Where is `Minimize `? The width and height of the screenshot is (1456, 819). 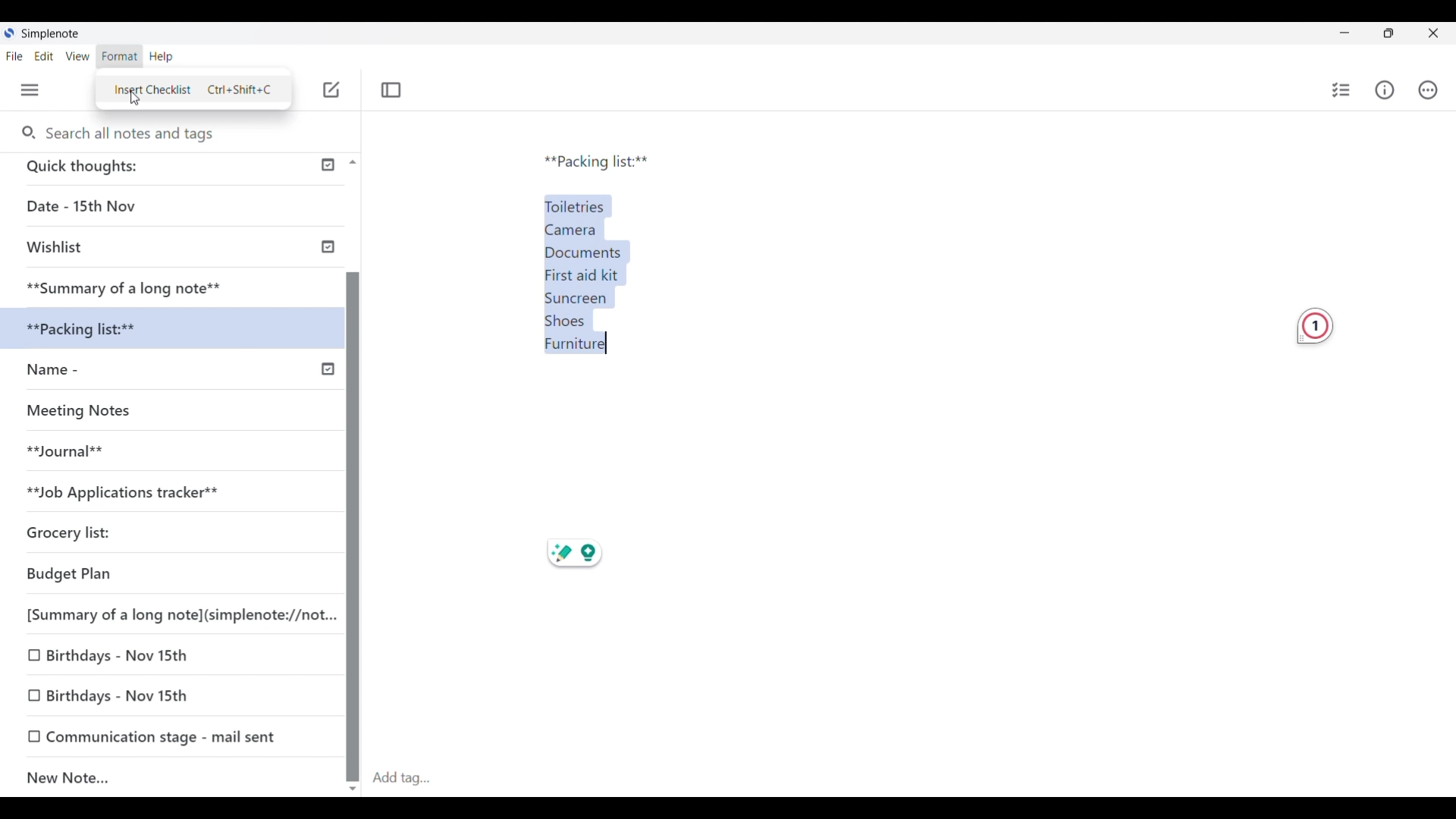
Minimize  is located at coordinates (1345, 33).